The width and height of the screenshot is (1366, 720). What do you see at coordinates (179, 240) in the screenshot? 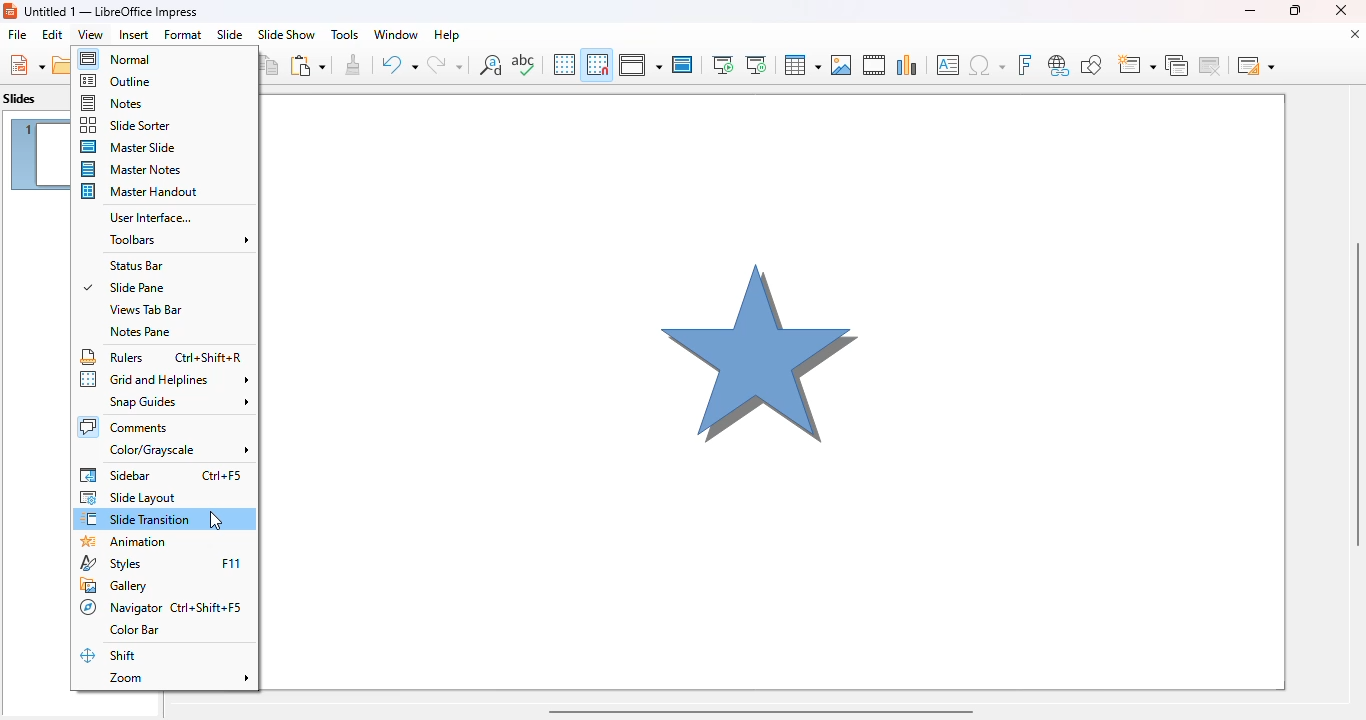
I see `toolbars` at bounding box center [179, 240].